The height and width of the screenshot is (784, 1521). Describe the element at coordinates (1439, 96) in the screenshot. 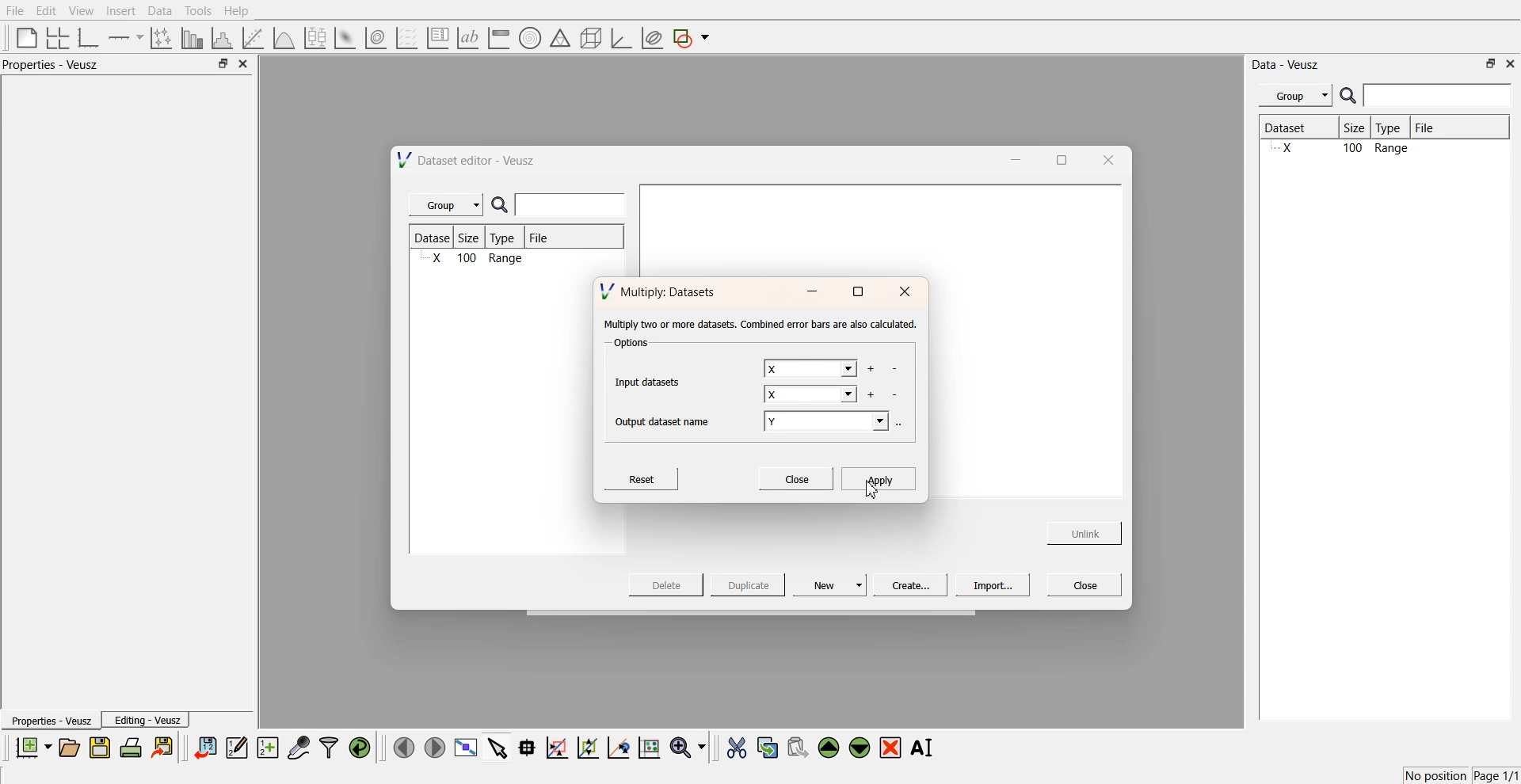

I see `enter search field` at that location.